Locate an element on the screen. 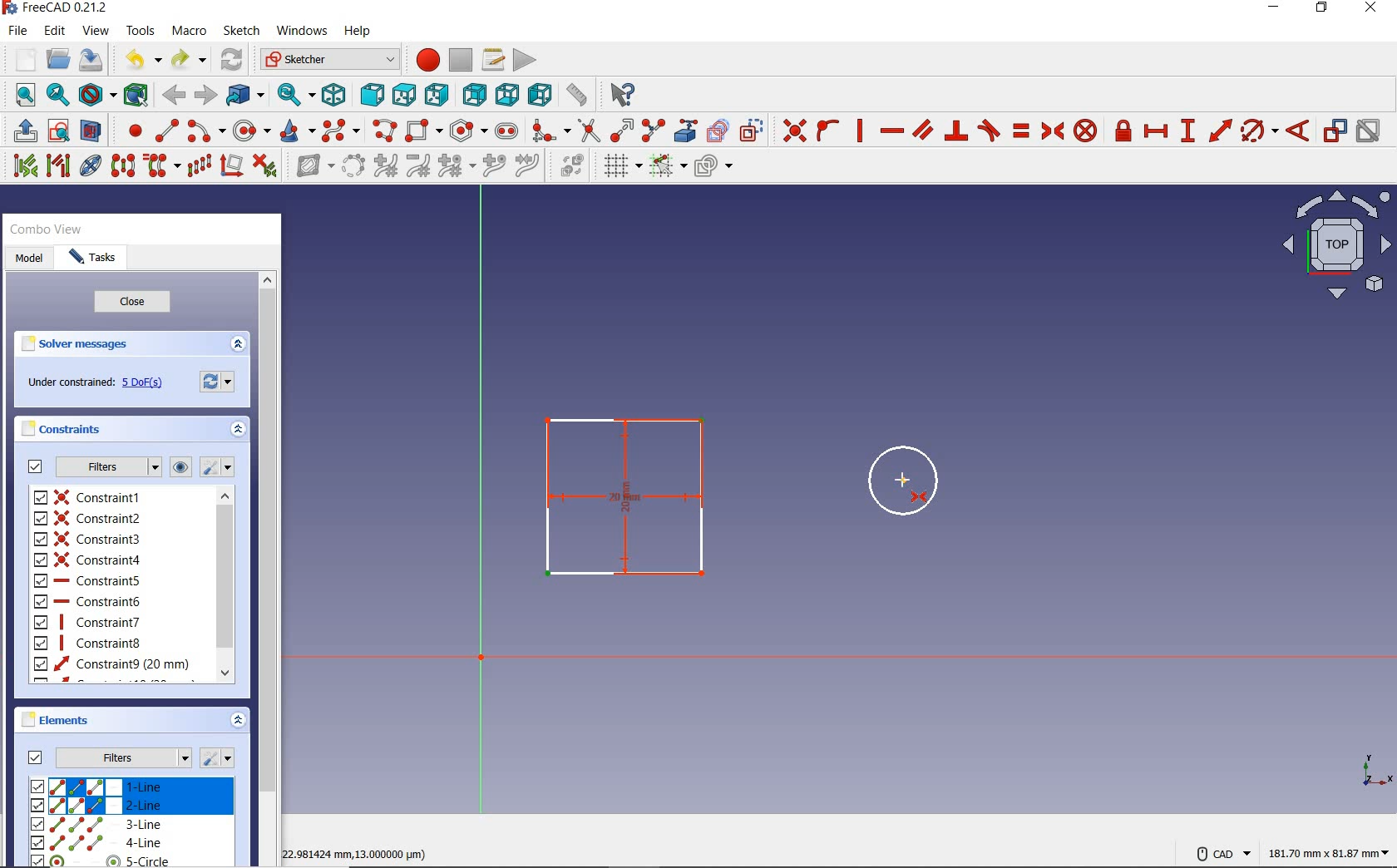 This screenshot has width=1397, height=868. switch virtual space is located at coordinates (569, 167).